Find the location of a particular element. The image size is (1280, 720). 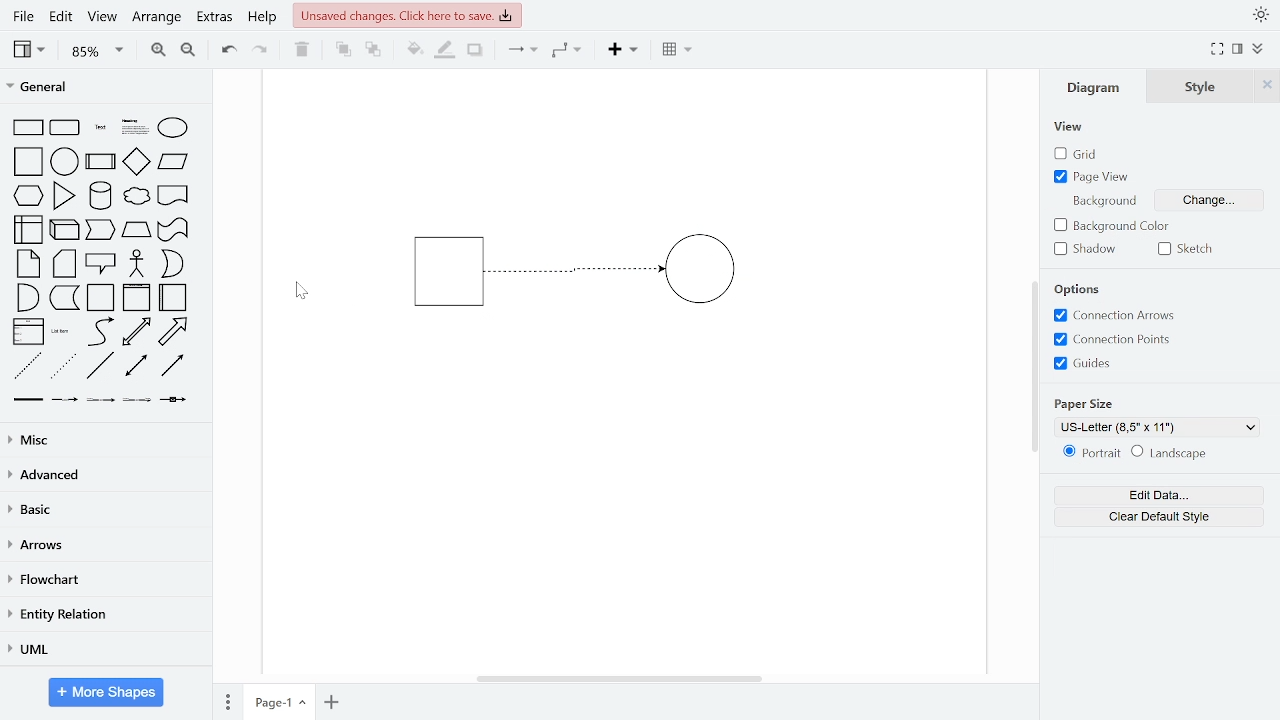

view is located at coordinates (100, 18).